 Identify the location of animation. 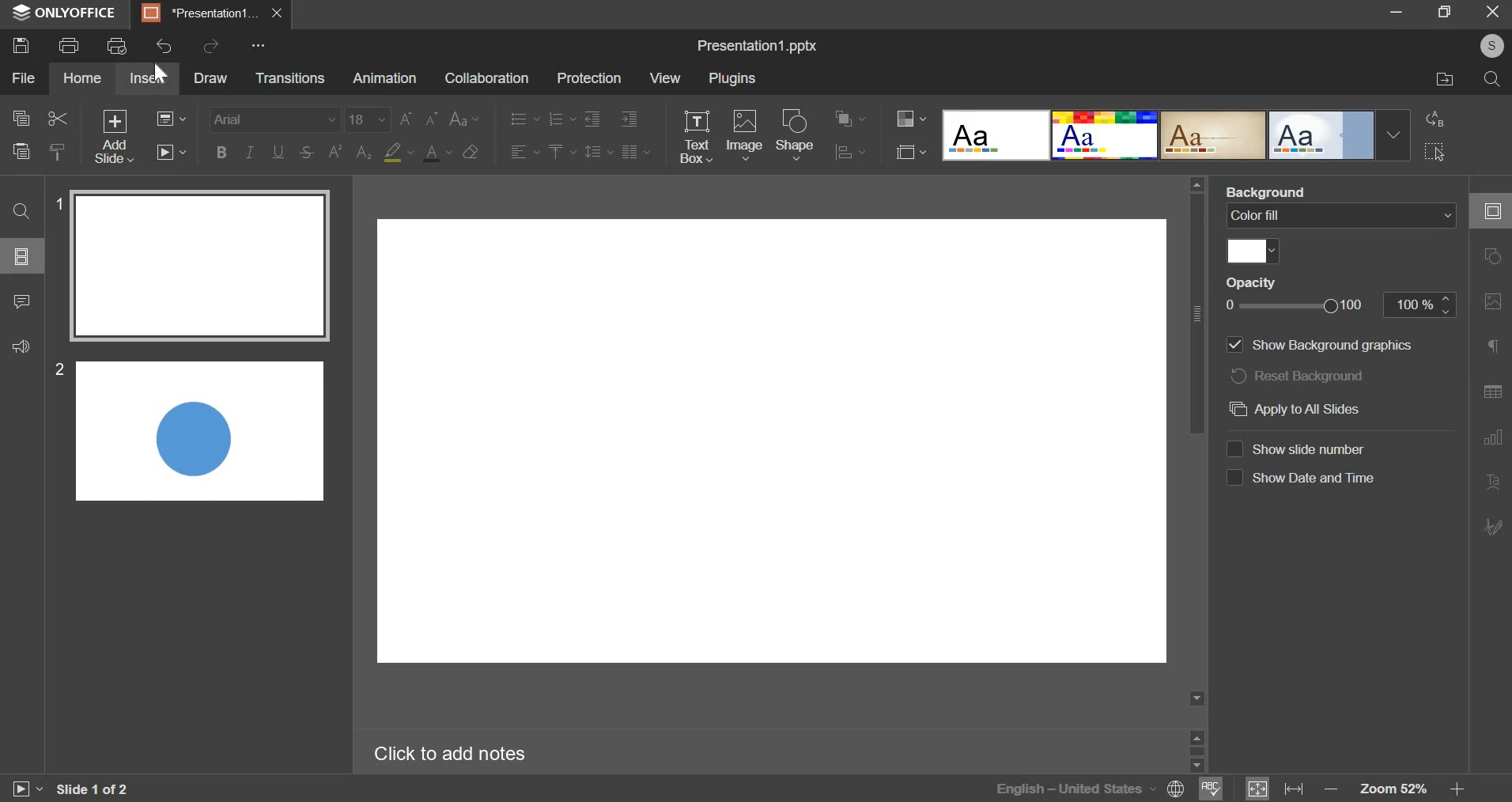
(385, 78).